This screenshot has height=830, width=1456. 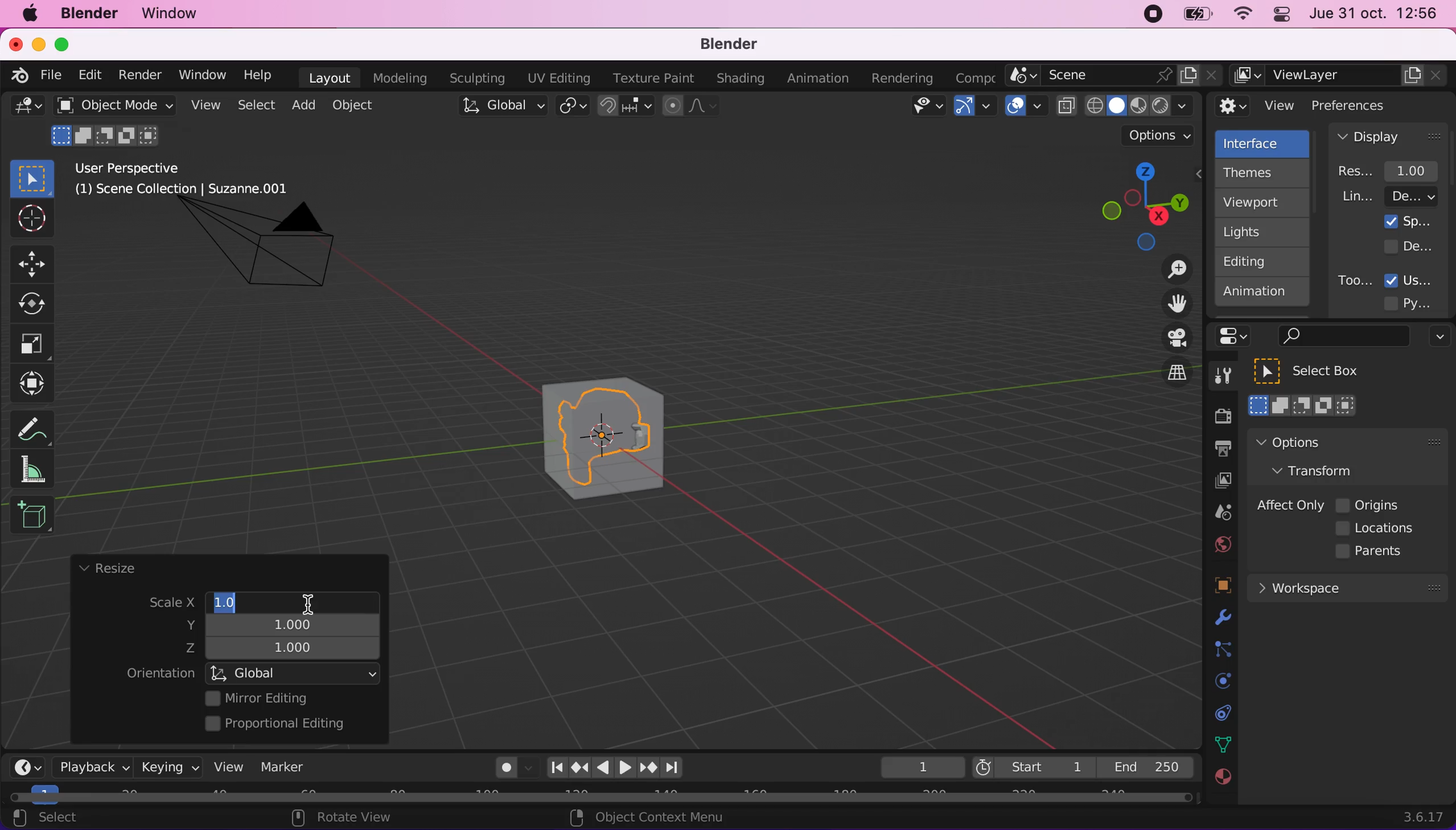 What do you see at coordinates (921, 768) in the screenshot?
I see `keyframe` at bounding box center [921, 768].